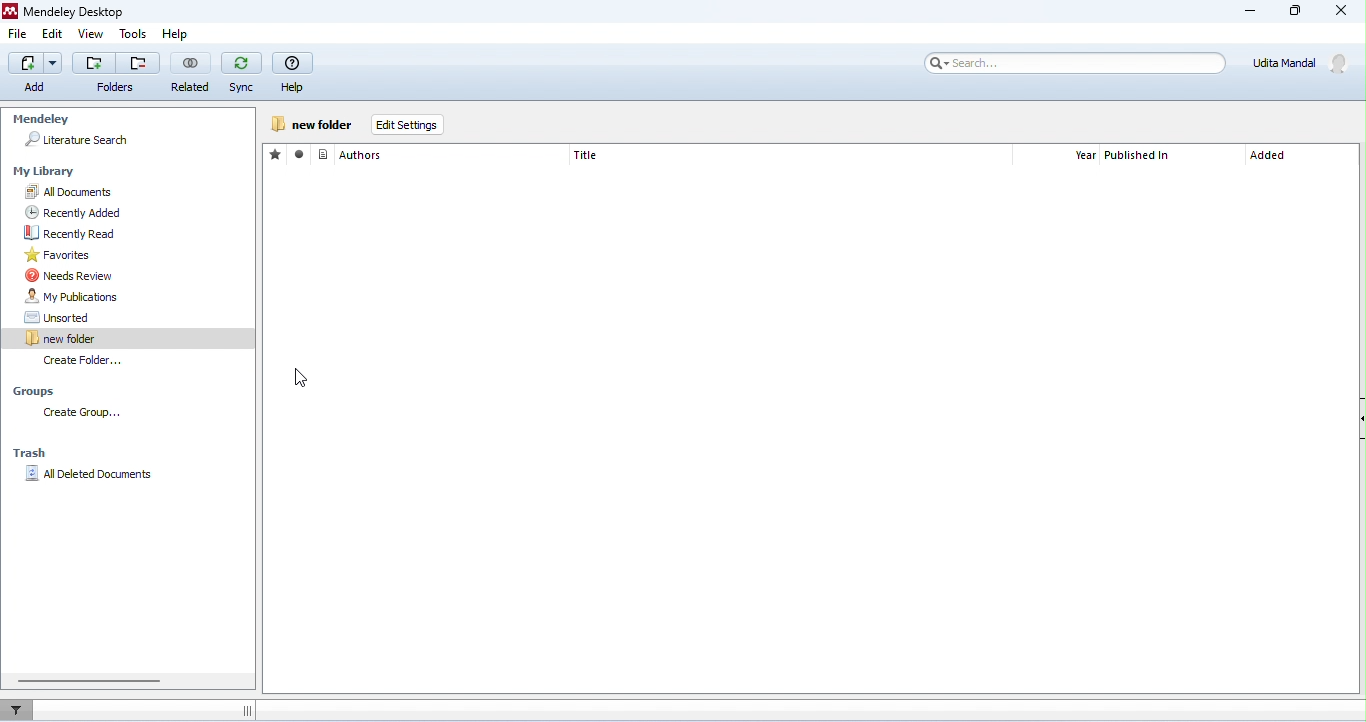 The height and width of the screenshot is (722, 1366). I want to click on authors, so click(351, 154).